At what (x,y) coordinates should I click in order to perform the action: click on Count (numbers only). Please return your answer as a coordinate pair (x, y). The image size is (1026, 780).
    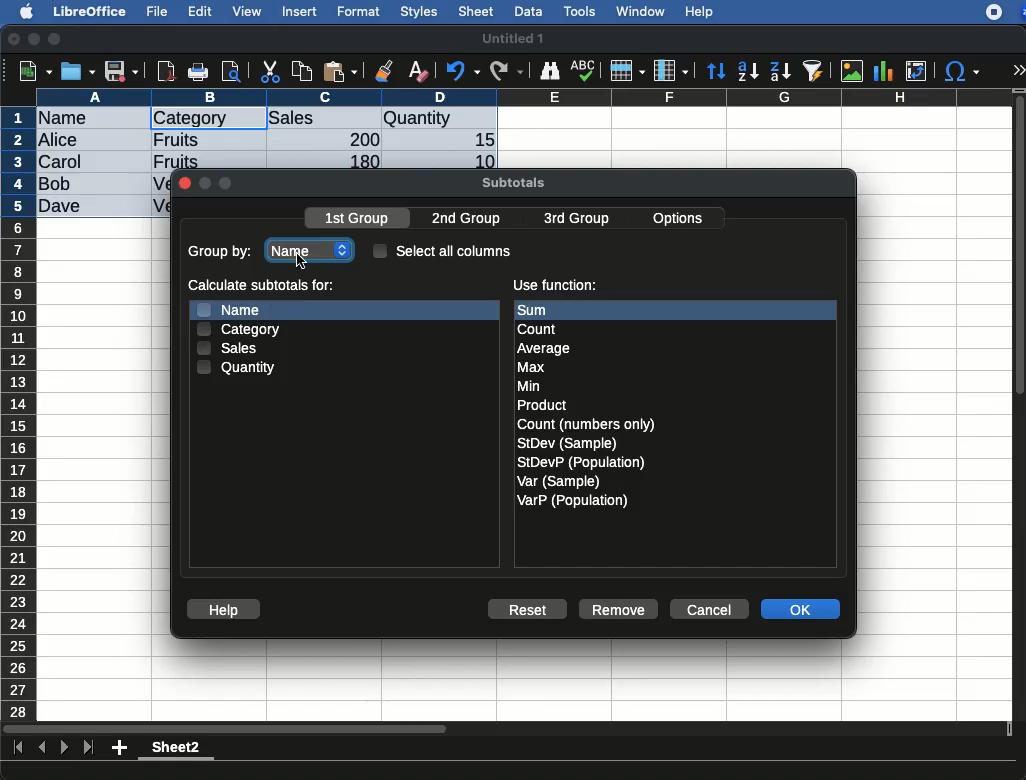
    Looking at the image, I should click on (588, 424).